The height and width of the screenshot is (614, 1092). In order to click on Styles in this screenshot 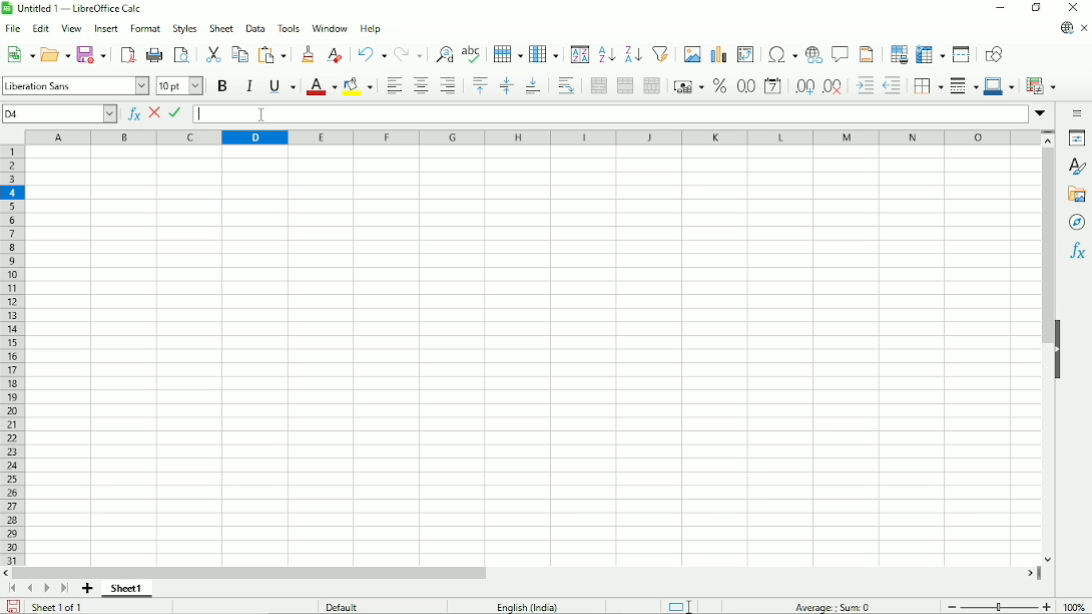, I will do `click(1078, 167)`.